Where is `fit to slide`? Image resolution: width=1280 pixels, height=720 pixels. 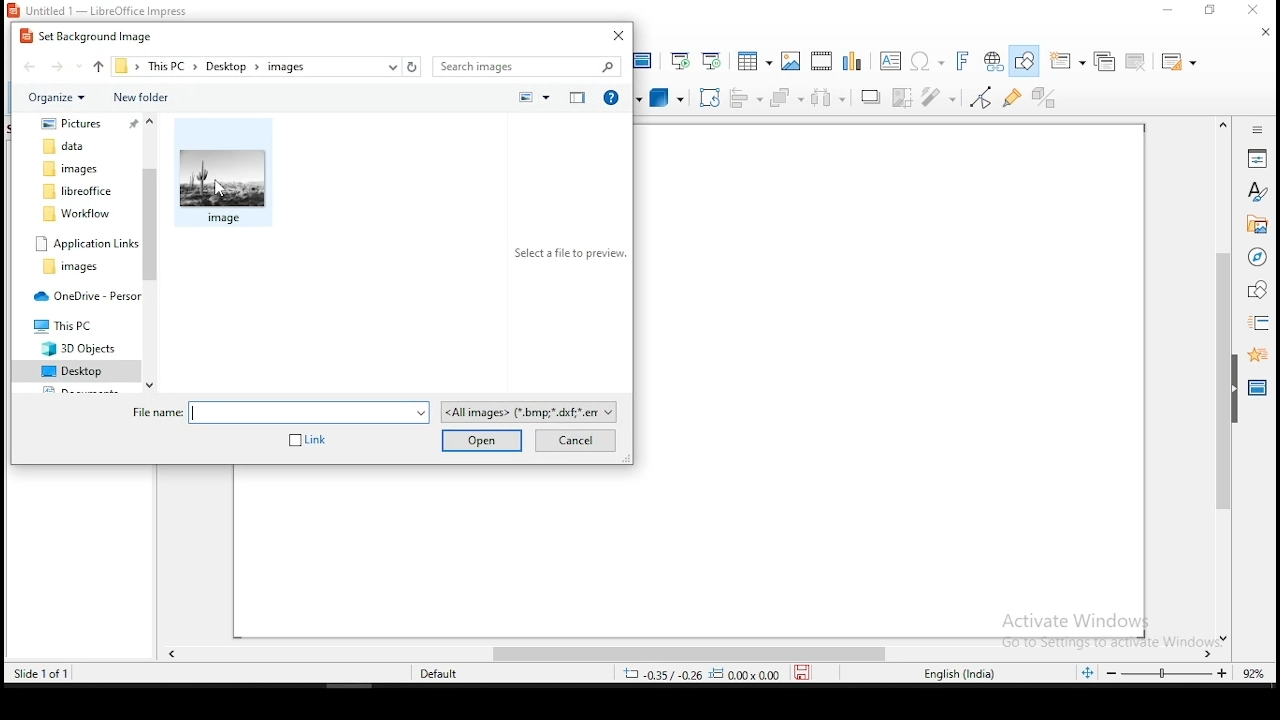
fit to slide is located at coordinates (1085, 673).